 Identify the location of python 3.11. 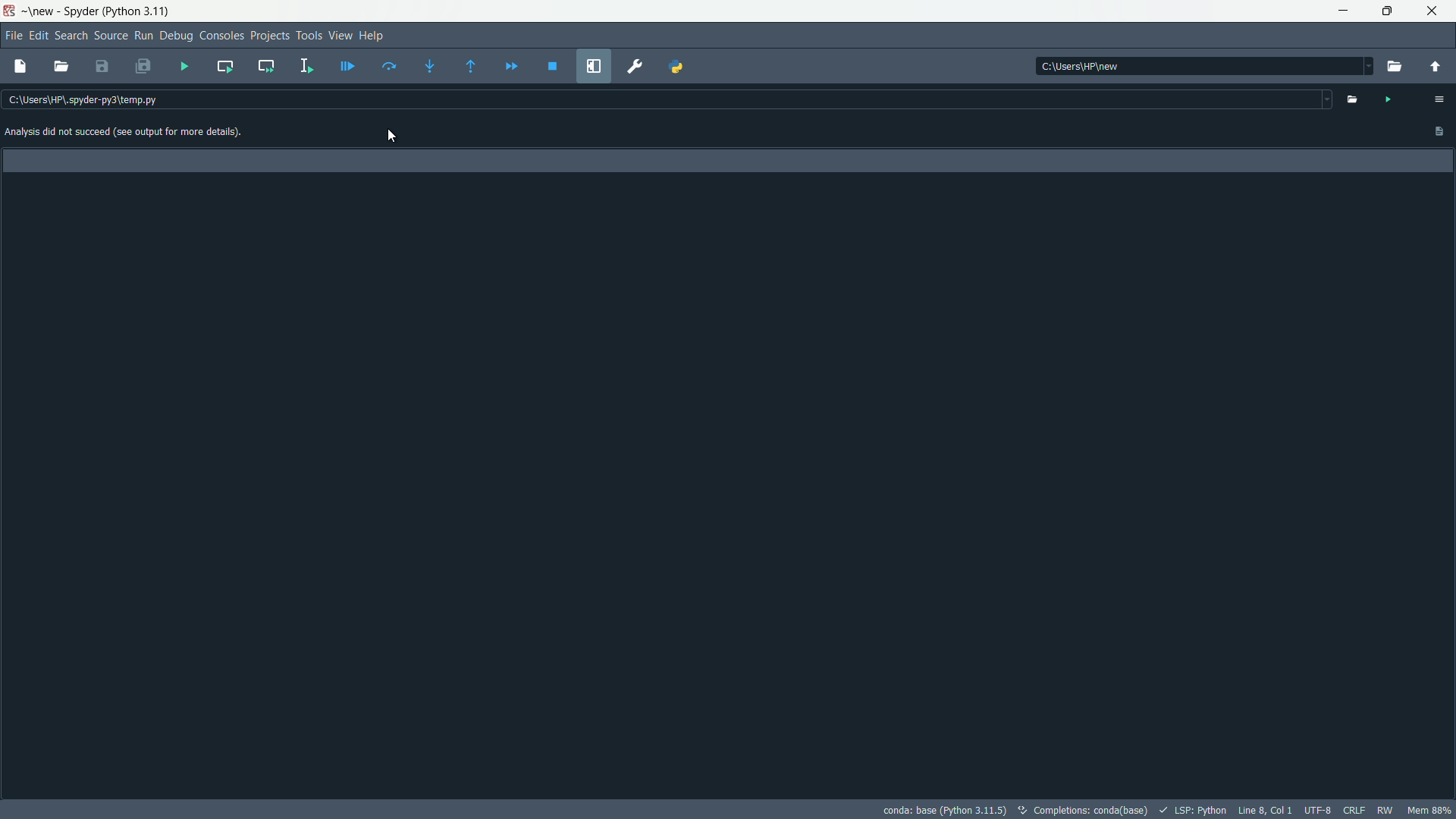
(137, 11).